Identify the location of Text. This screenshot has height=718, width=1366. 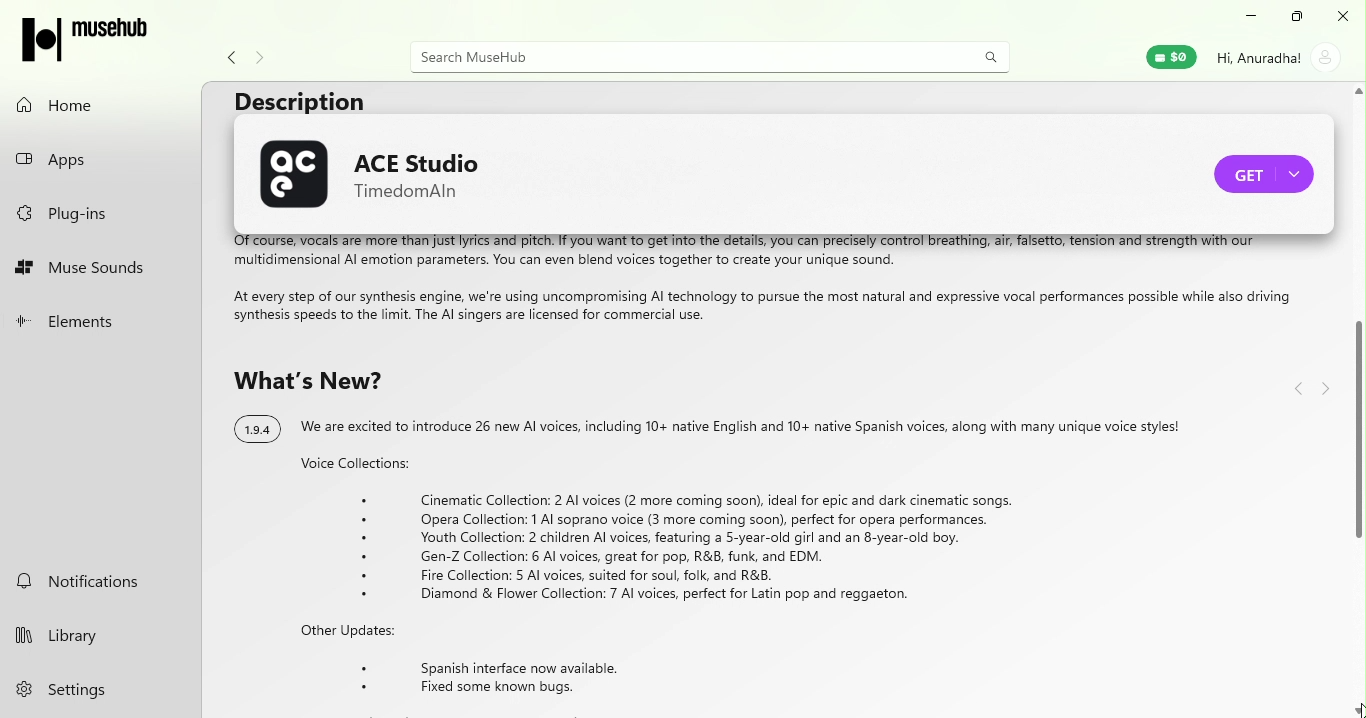
(772, 470).